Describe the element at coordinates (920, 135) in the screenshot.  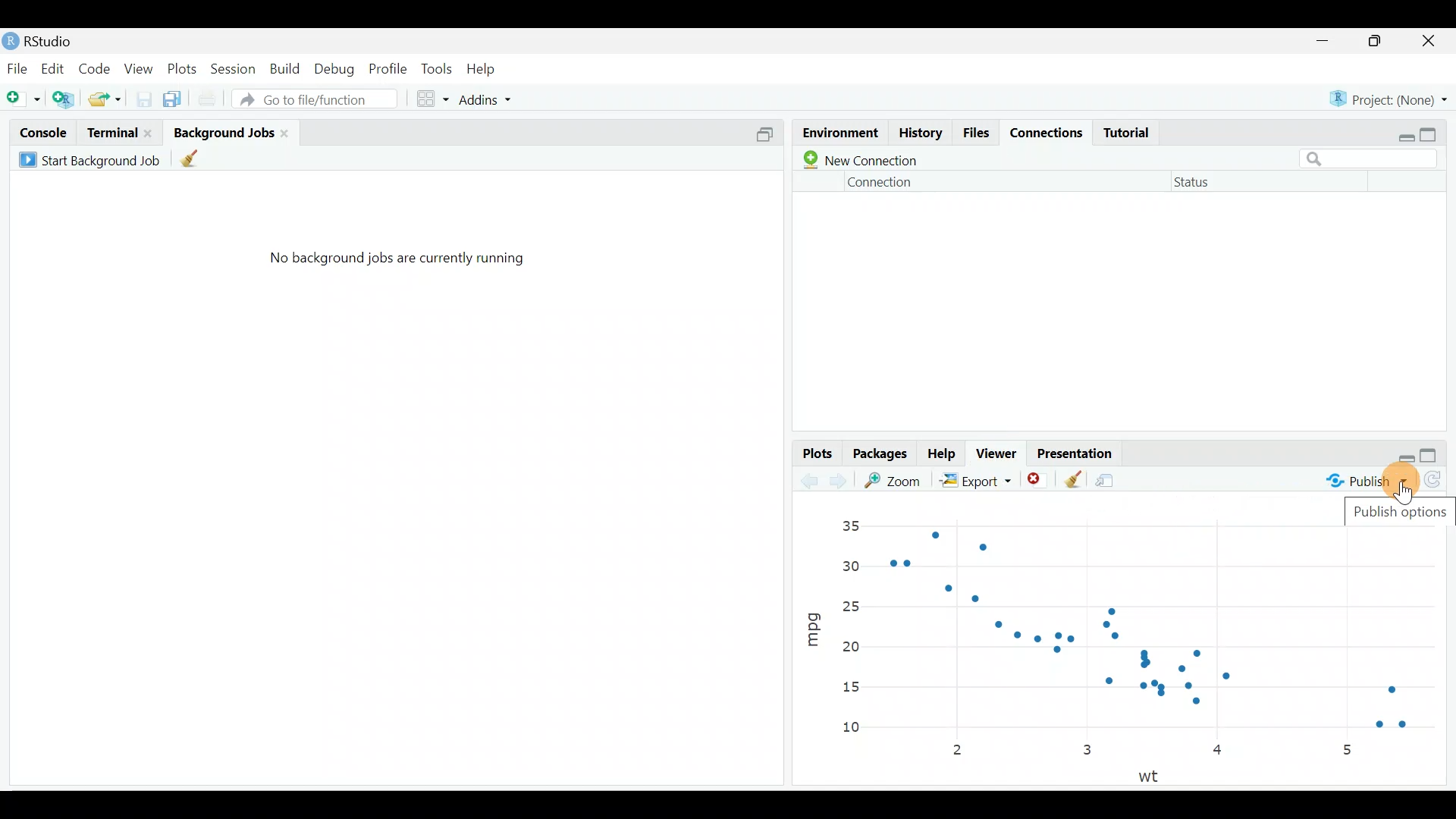
I see `History` at that location.